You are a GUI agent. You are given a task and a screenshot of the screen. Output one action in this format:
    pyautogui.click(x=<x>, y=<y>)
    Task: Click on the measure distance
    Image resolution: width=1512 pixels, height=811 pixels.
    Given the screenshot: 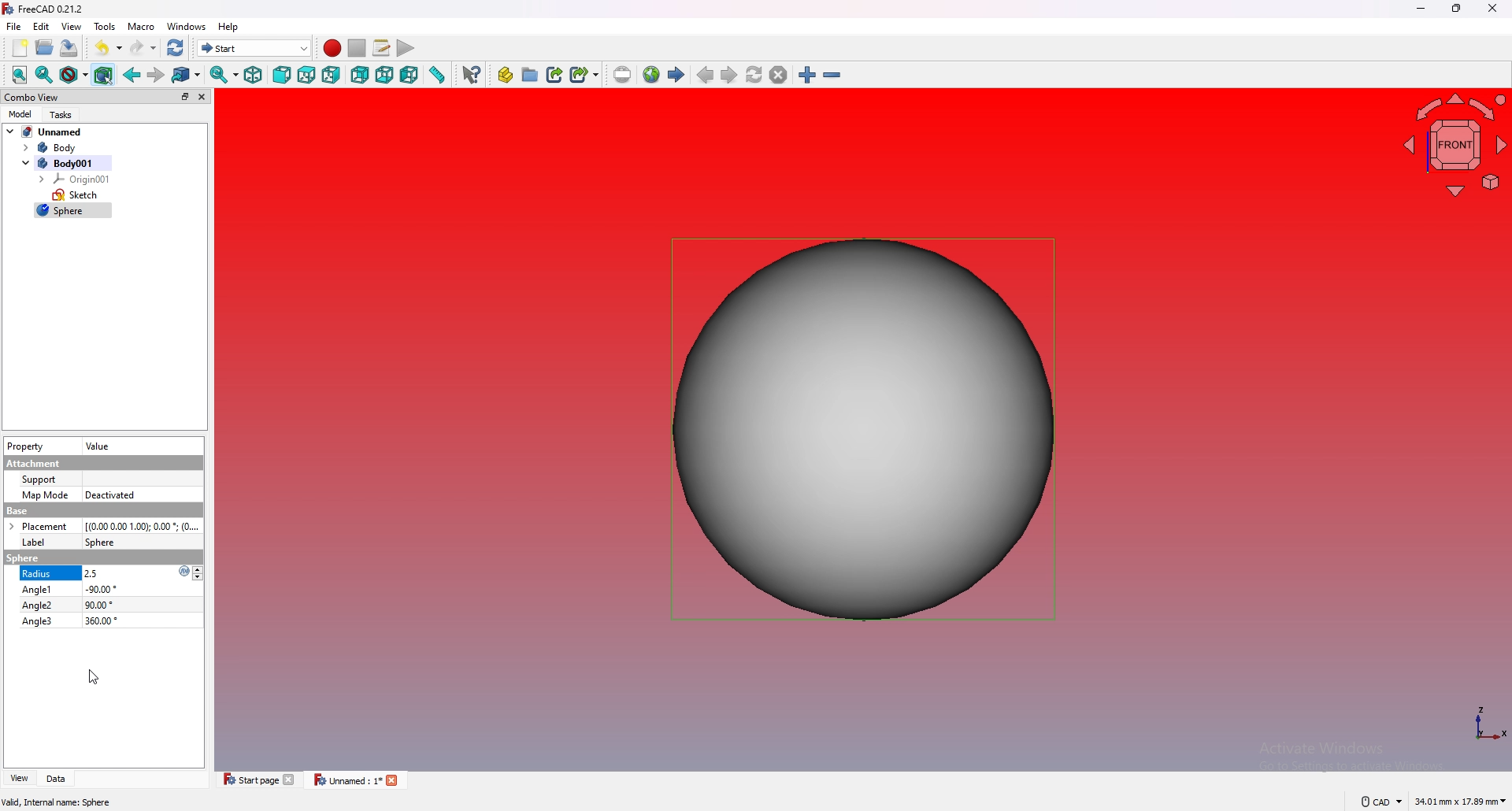 What is the action you would take?
    pyautogui.click(x=439, y=74)
    